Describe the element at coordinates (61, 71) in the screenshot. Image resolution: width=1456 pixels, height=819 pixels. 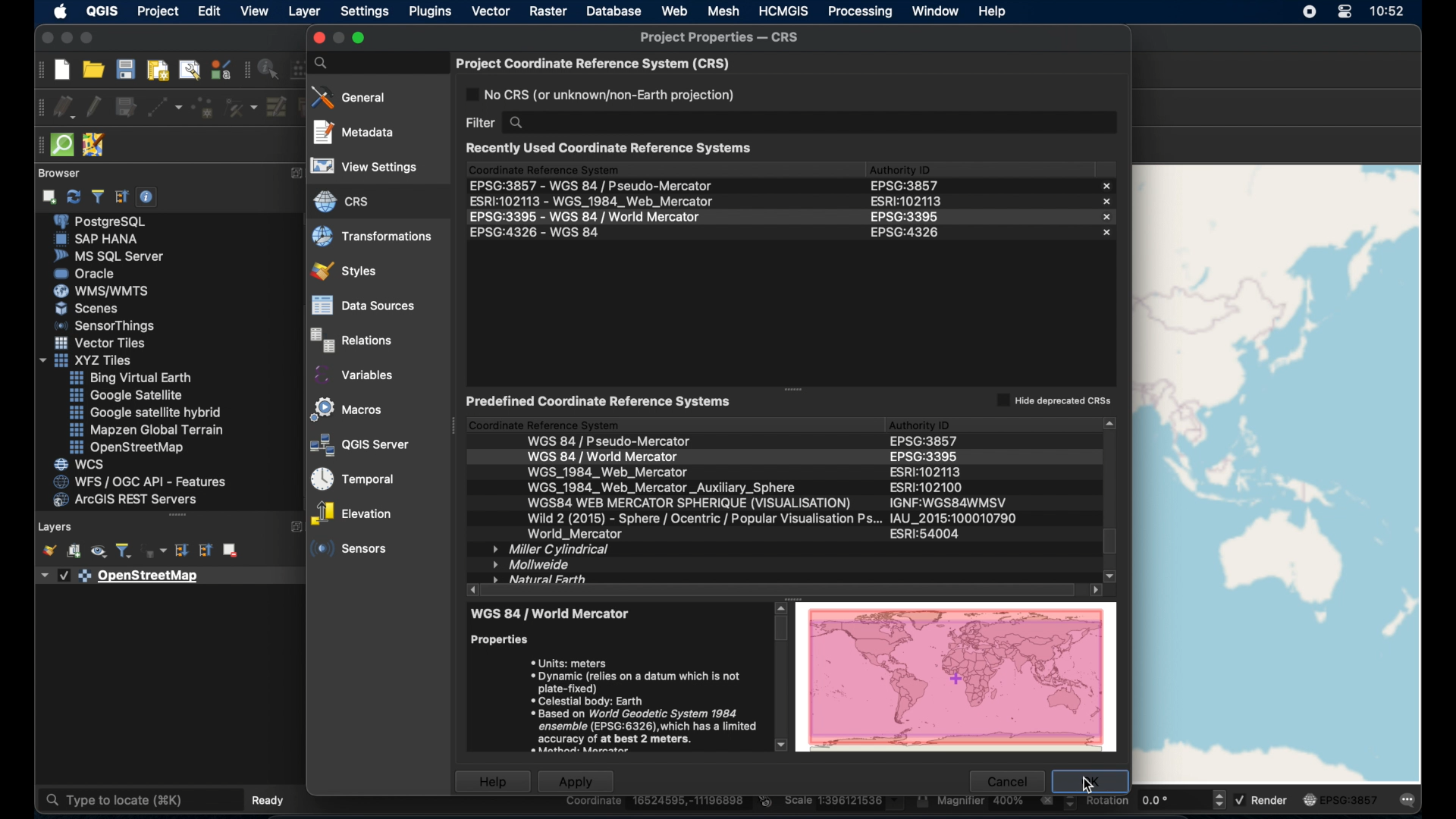
I see `new project` at that location.